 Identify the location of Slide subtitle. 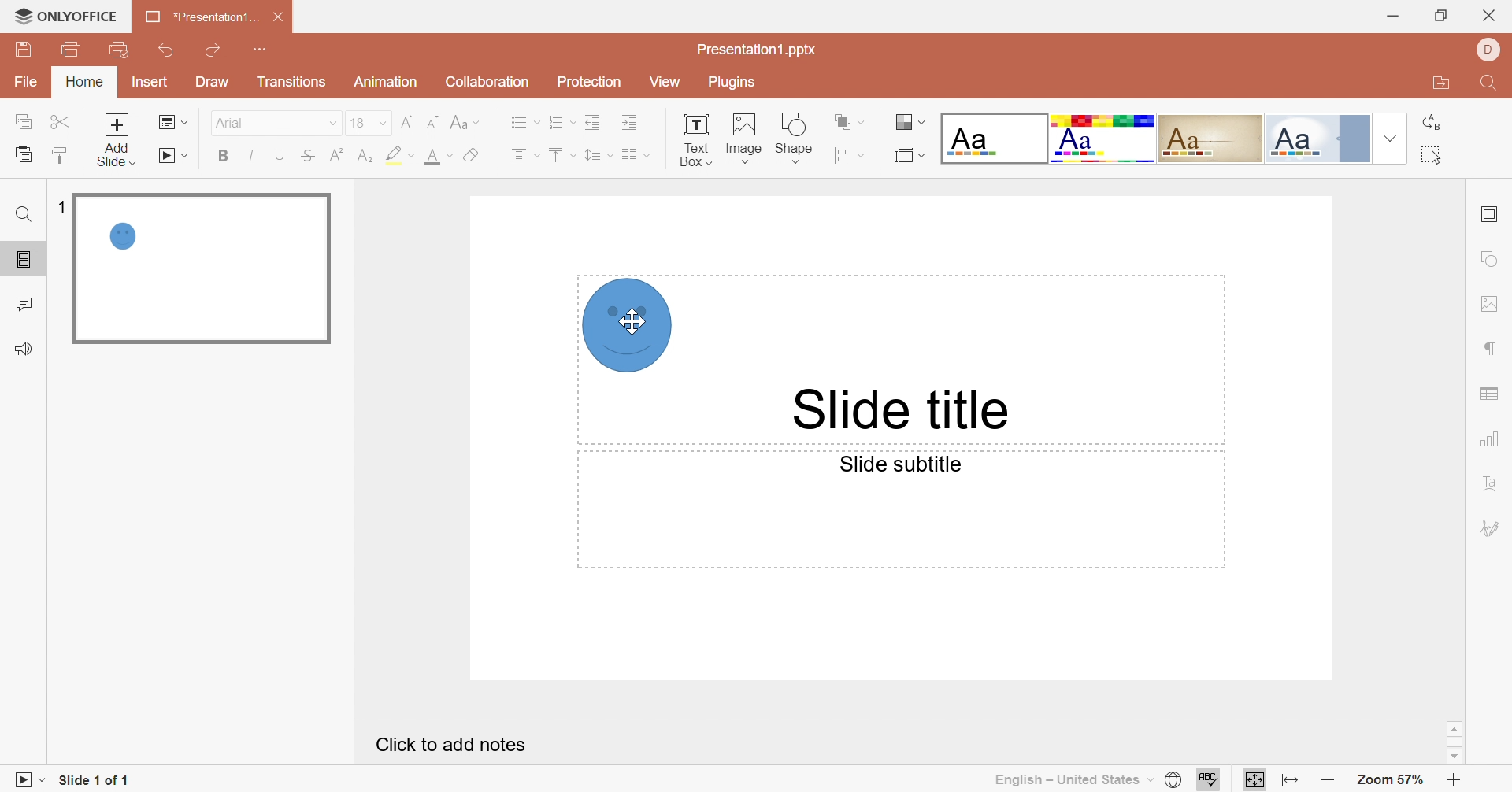
(900, 464).